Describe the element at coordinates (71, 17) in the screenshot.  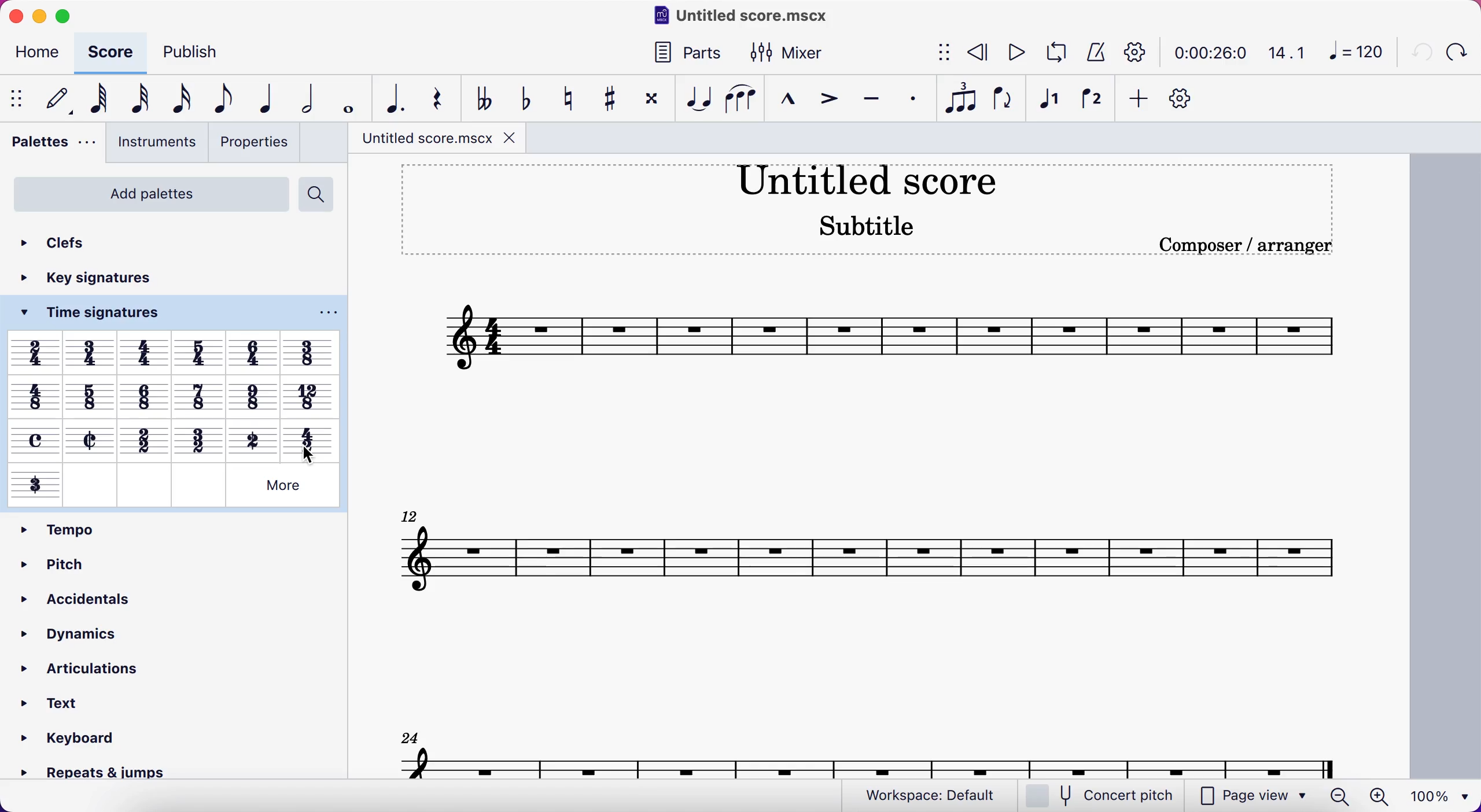
I see `maimize` at that location.